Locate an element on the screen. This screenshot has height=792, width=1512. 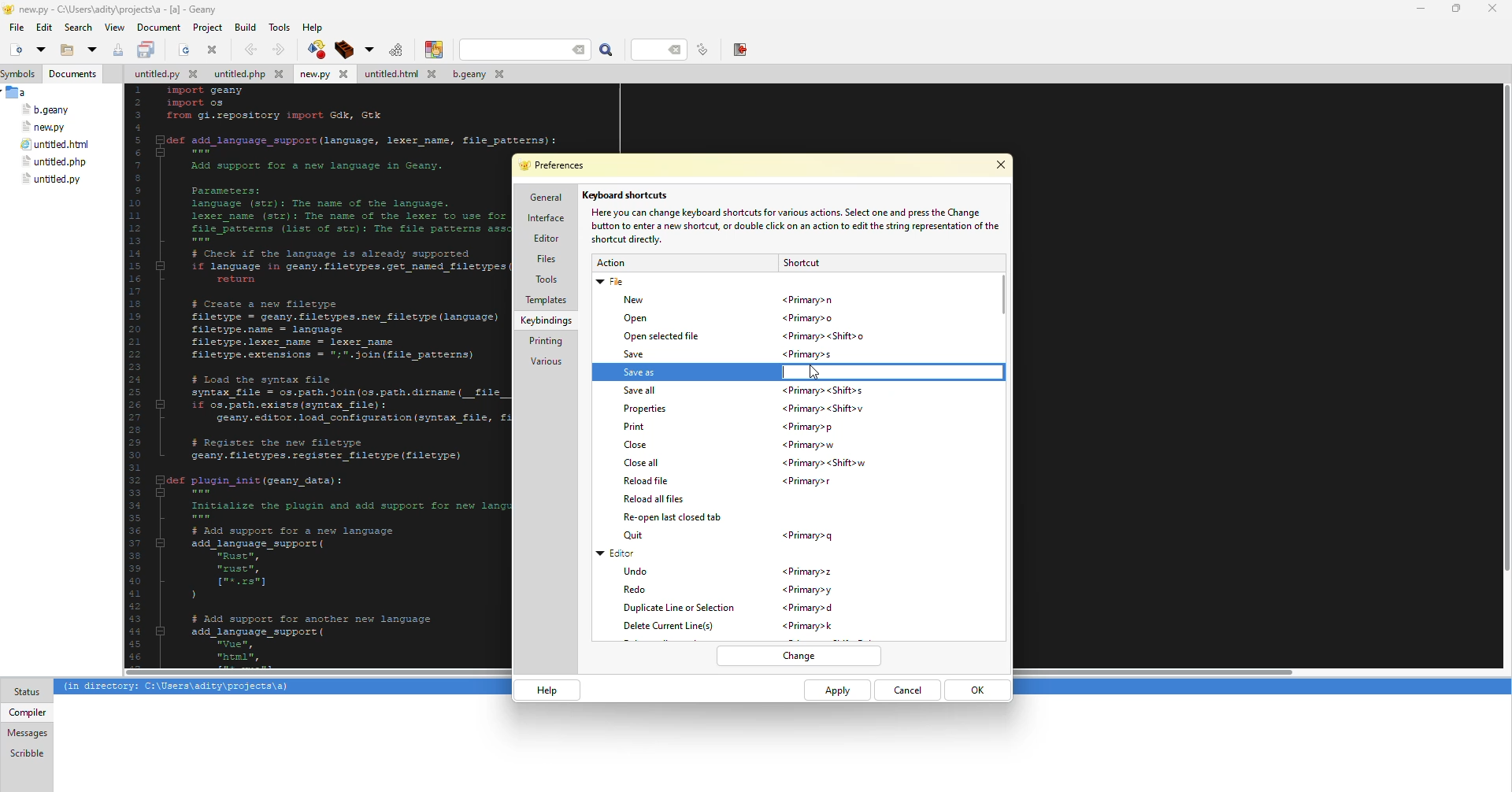
redo is located at coordinates (636, 590).